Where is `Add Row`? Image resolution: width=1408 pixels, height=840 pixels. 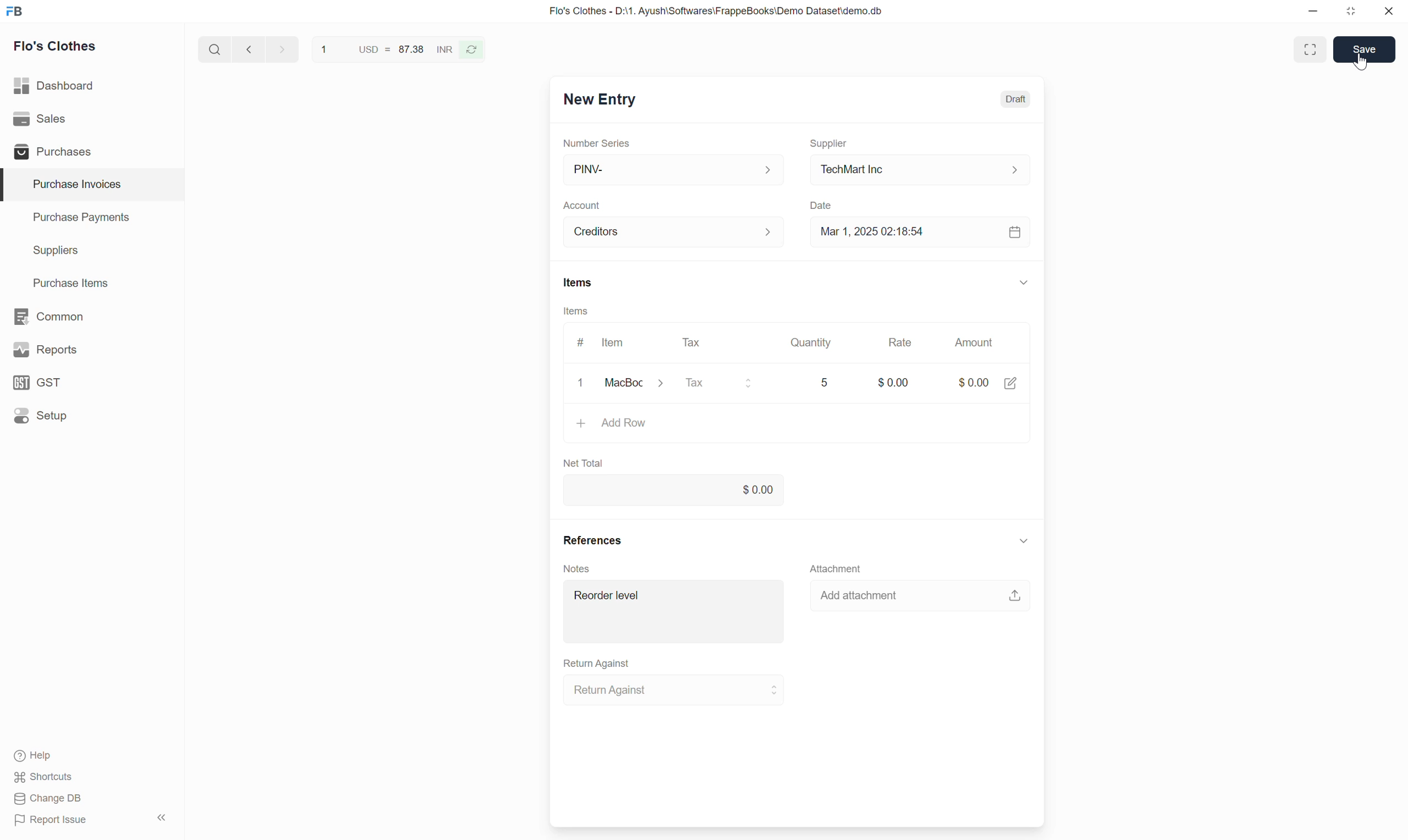 Add Row is located at coordinates (798, 427).